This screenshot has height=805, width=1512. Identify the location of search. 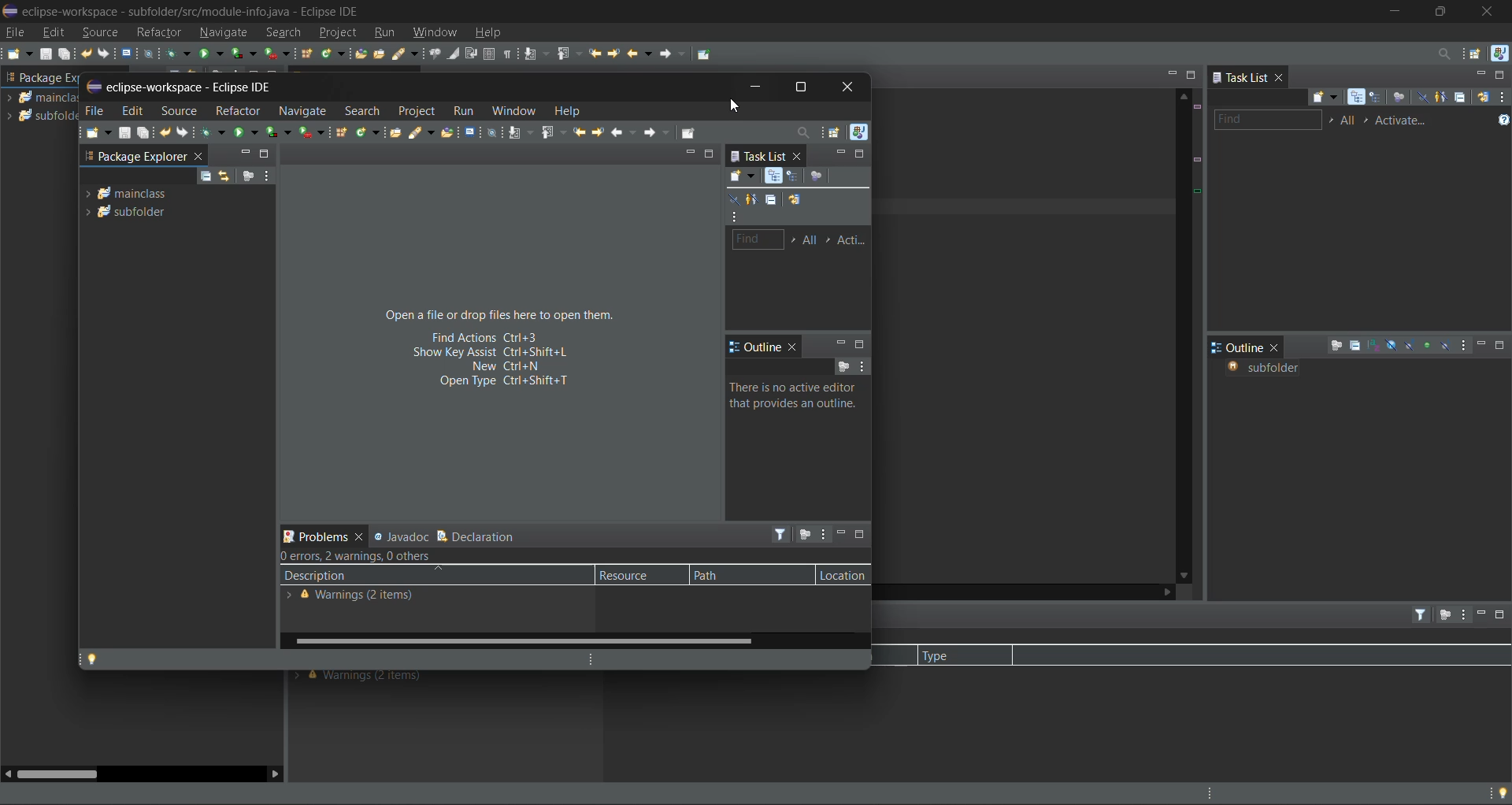
(422, 133).